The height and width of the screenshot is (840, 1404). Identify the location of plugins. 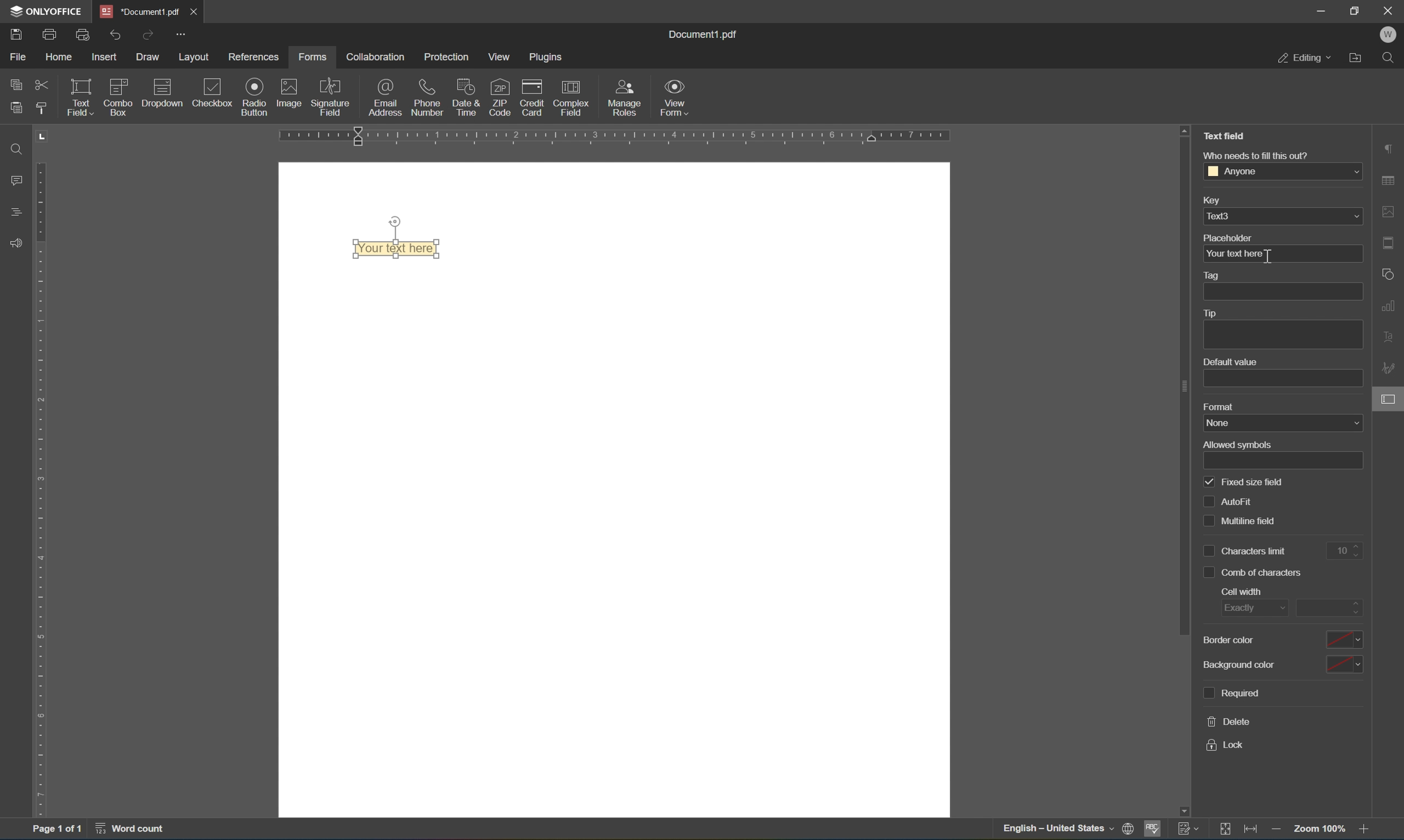
(546, 57).